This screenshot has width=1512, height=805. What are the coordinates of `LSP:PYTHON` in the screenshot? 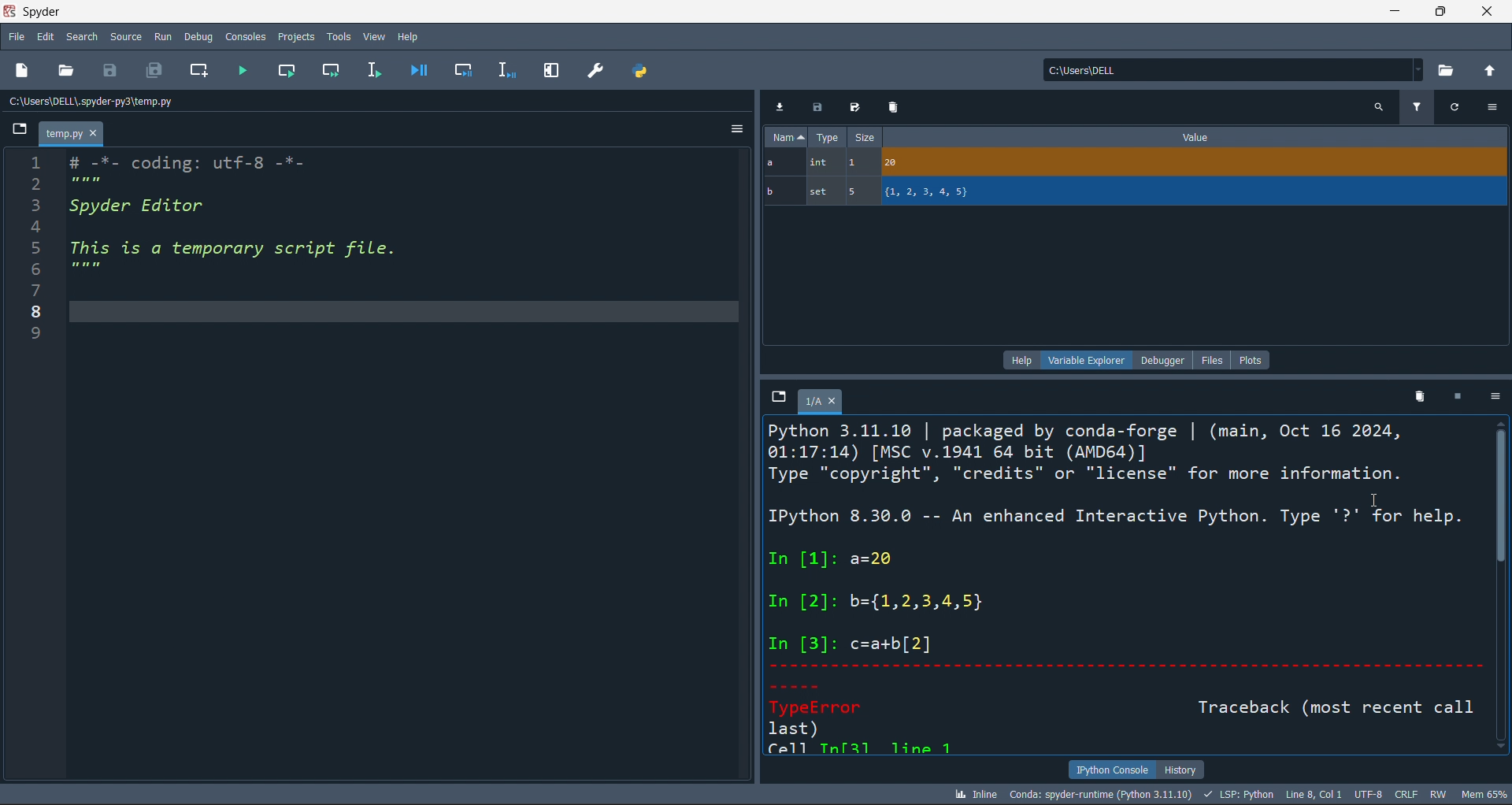 It's located at (1236, 795).